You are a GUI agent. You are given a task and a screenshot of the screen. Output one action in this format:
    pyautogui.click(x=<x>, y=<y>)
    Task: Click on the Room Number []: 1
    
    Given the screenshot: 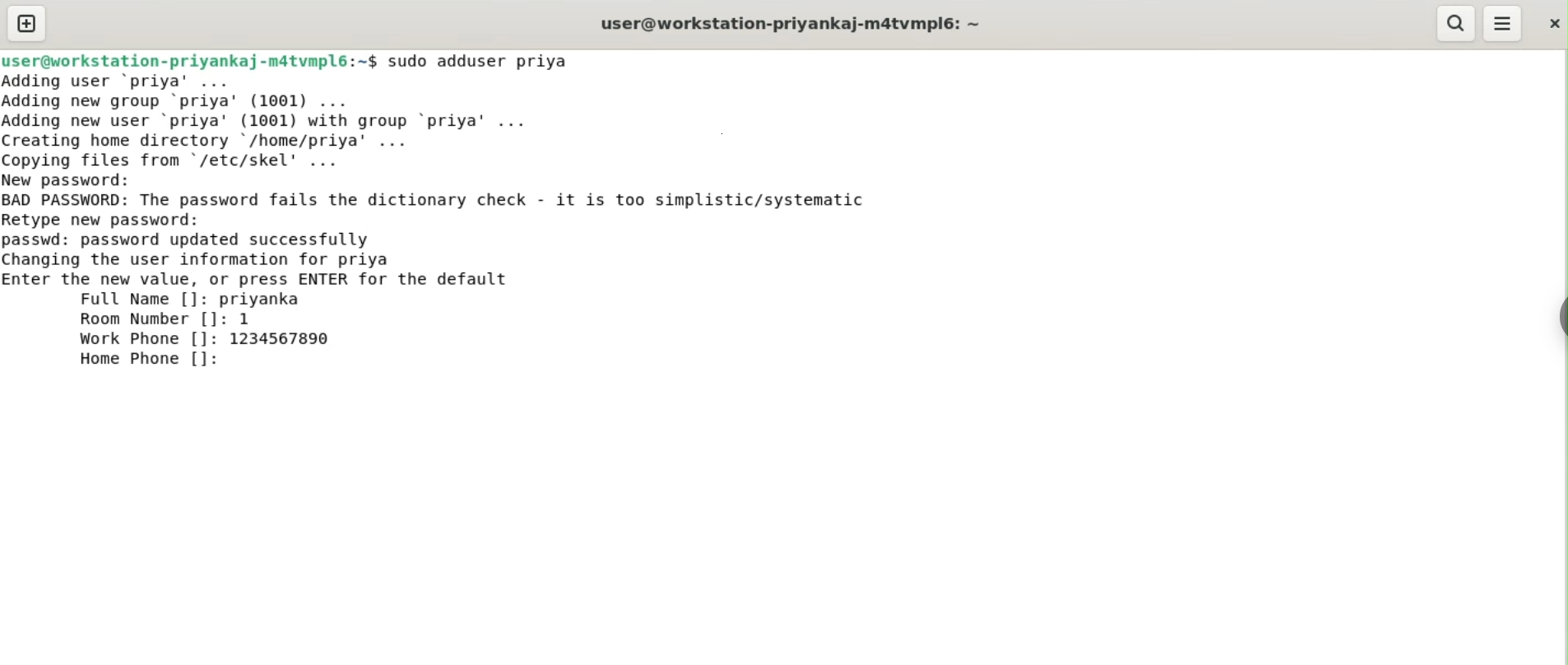 What is the action you would take?
    pyautogui.click(x=165, y=319)
    